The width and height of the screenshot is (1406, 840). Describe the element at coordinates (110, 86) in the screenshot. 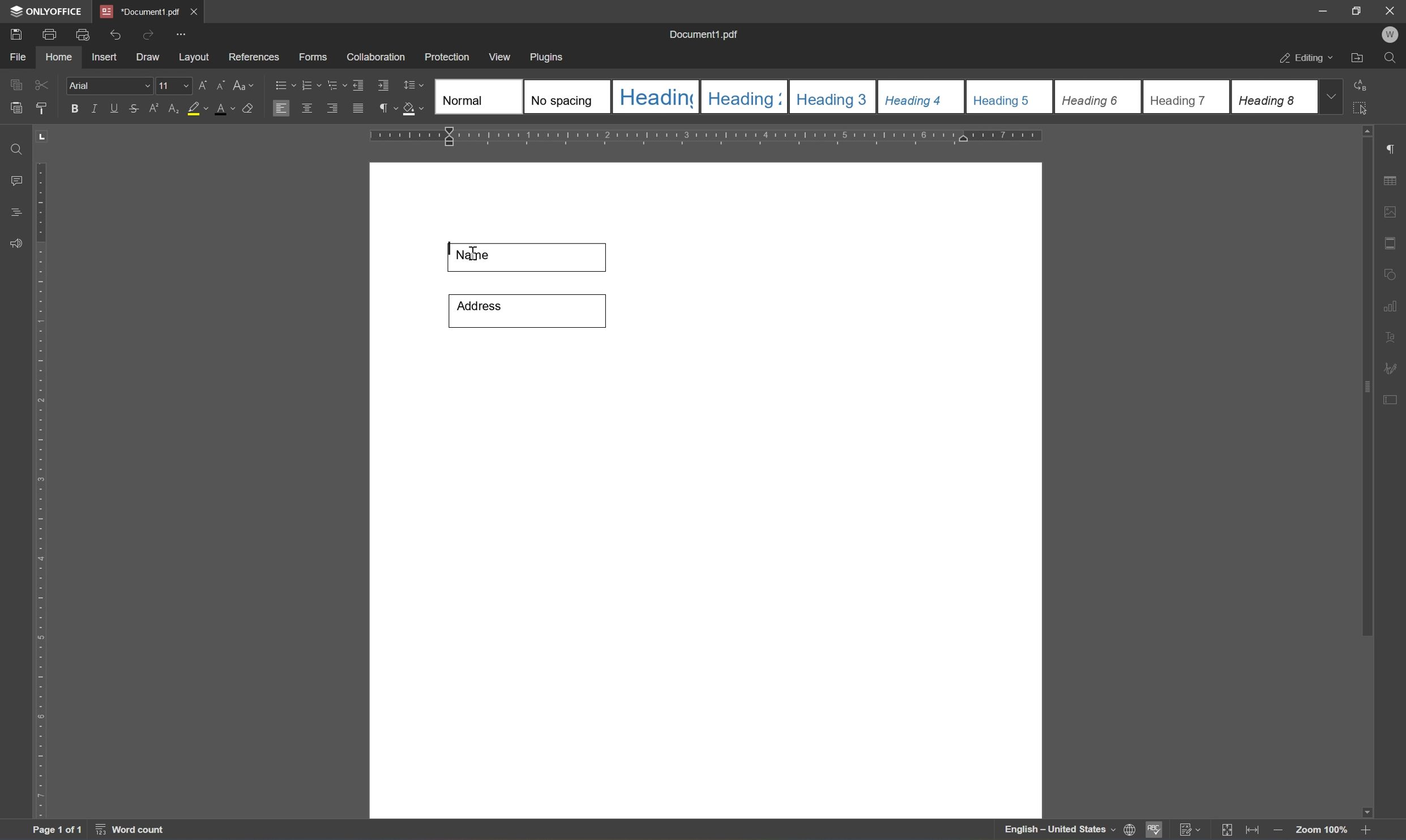

I see `font` at that location.